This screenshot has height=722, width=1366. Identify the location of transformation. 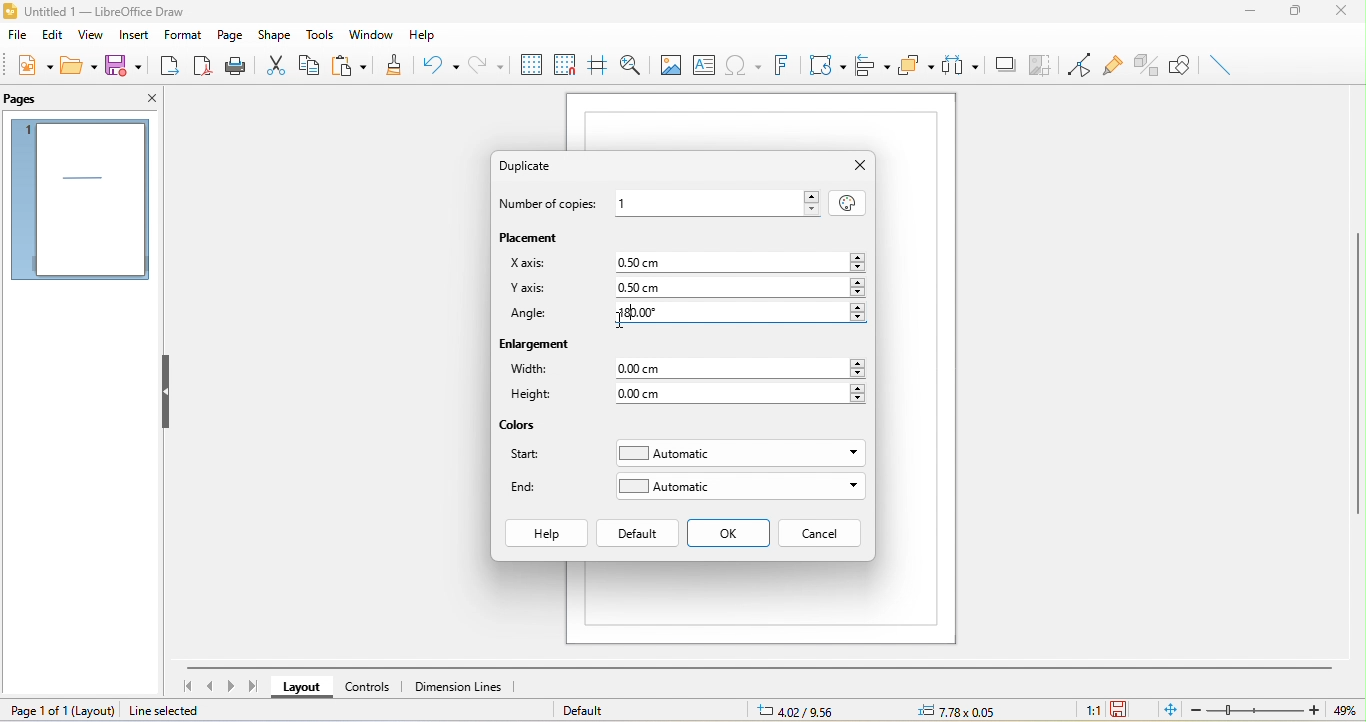
(825, 66).